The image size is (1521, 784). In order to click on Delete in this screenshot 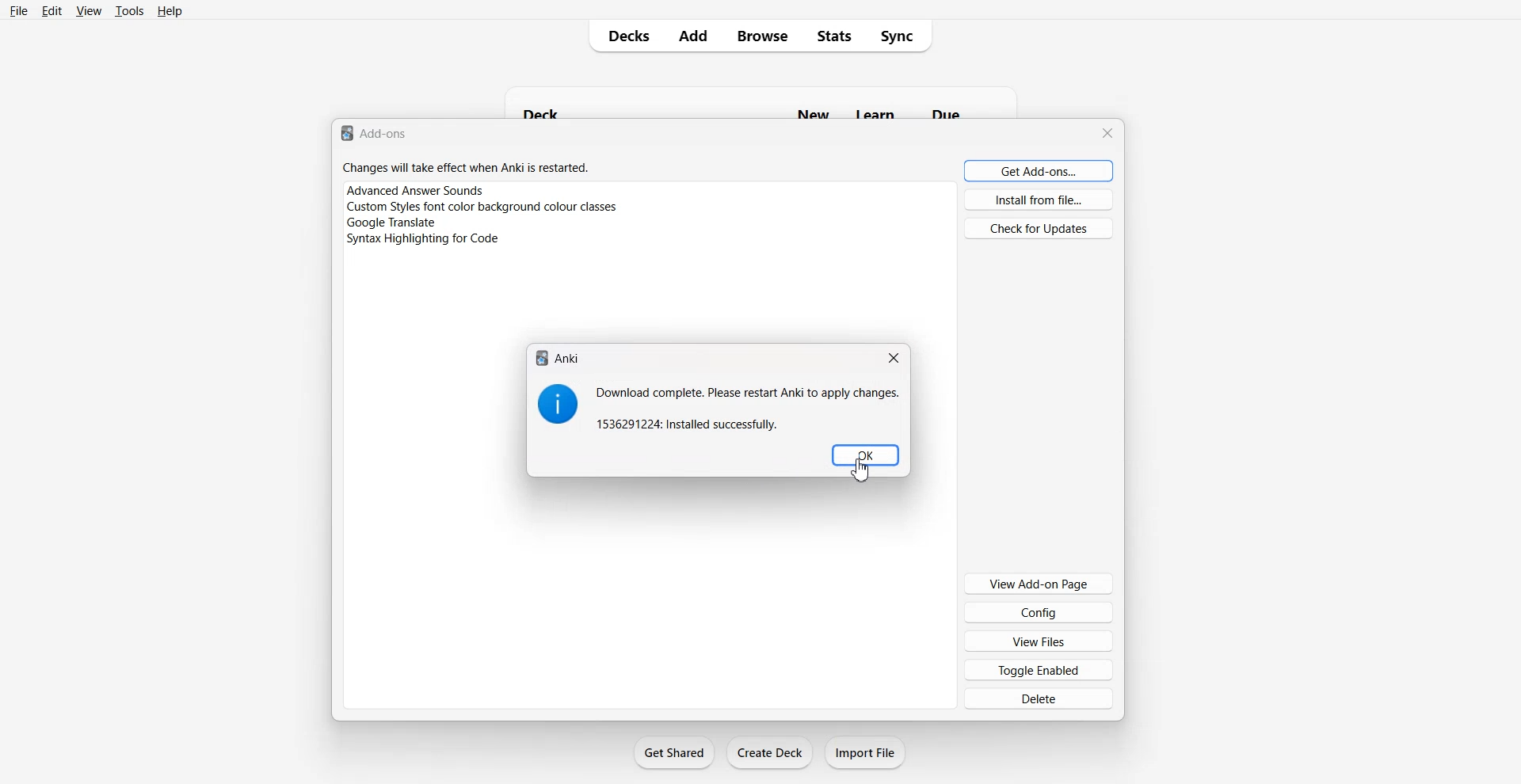, I will do `click(1039, 698)`.